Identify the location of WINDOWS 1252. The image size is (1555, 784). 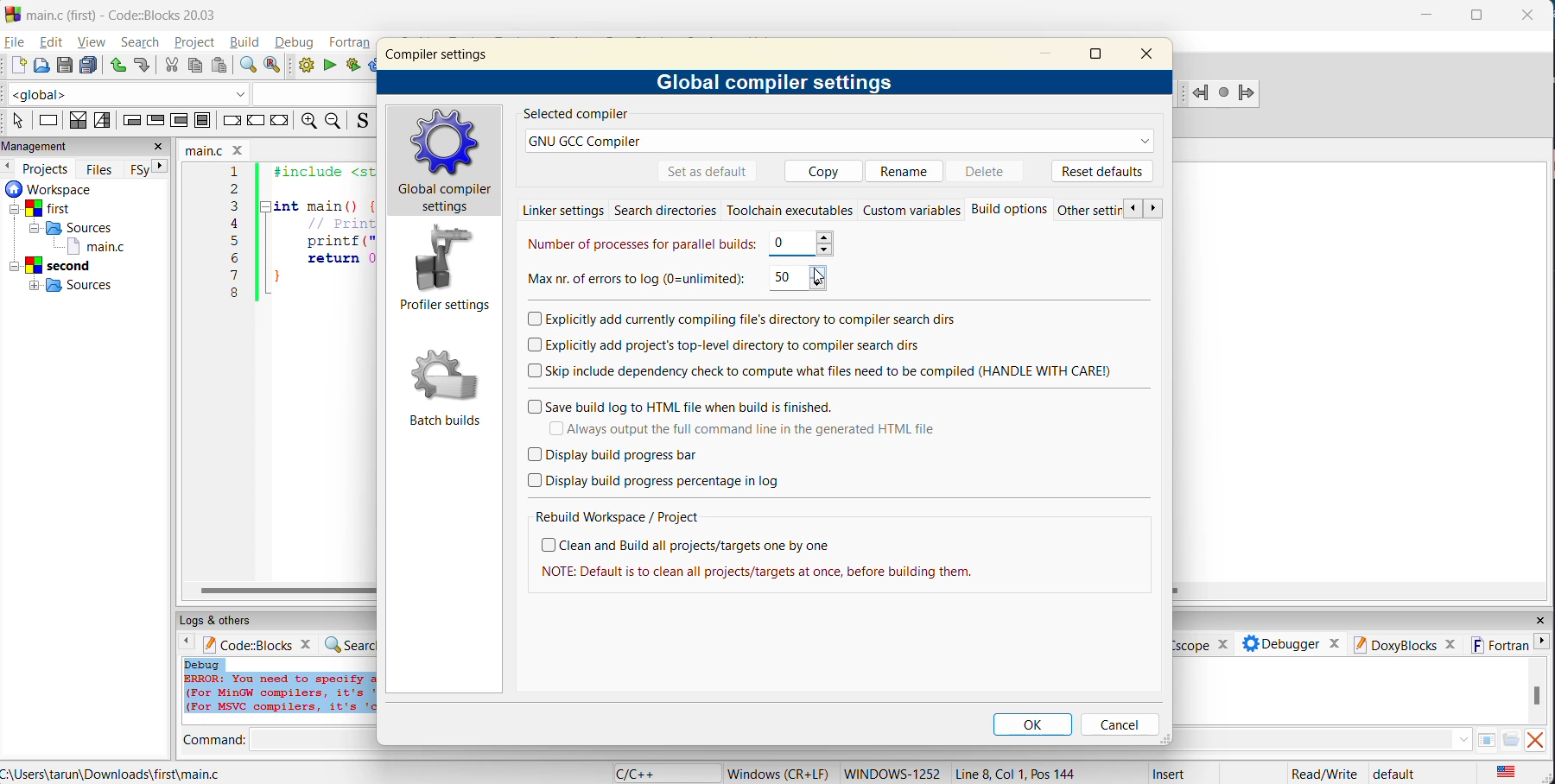
(890, 774).